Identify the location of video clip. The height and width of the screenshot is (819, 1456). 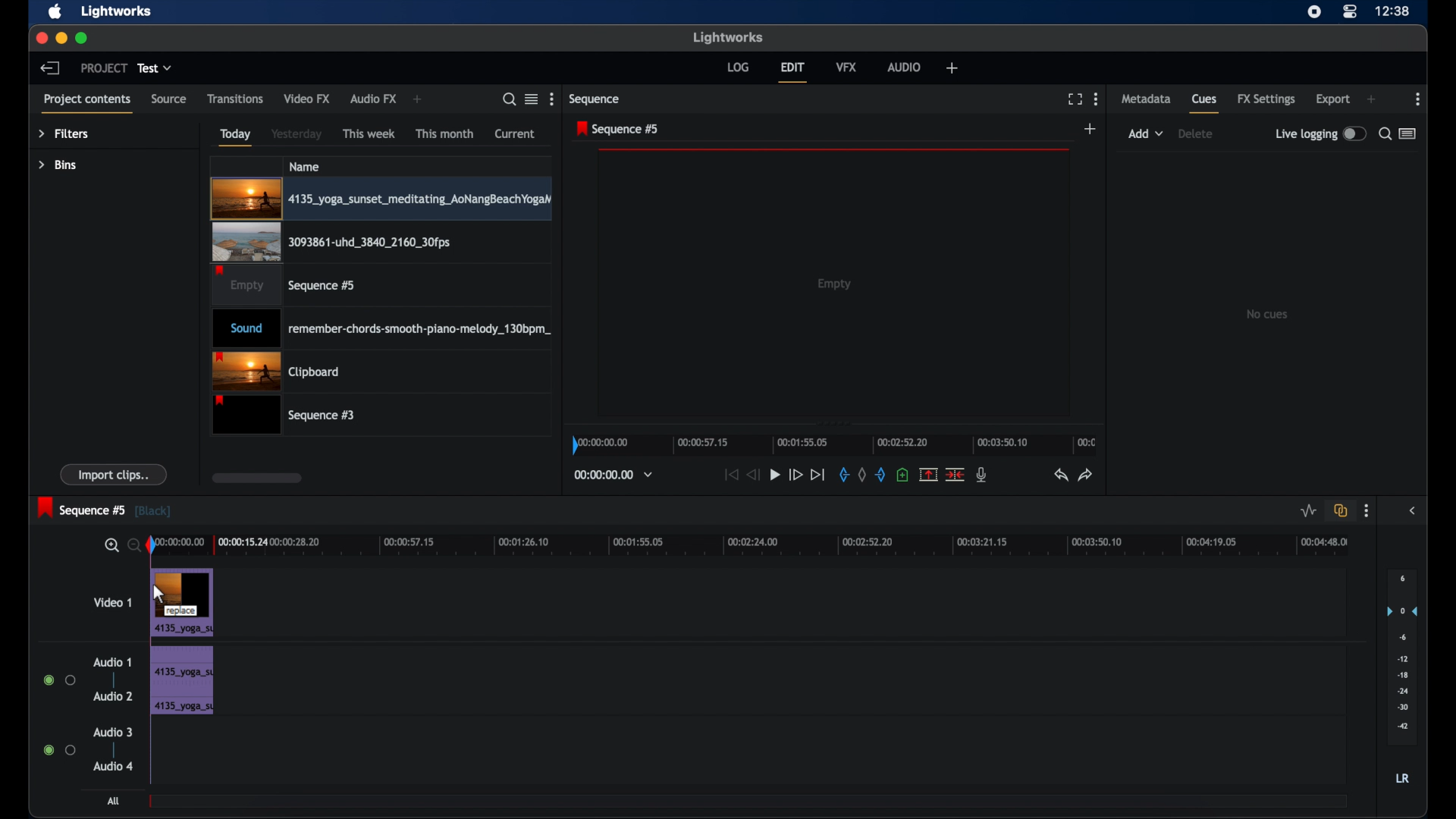
(381, 199).